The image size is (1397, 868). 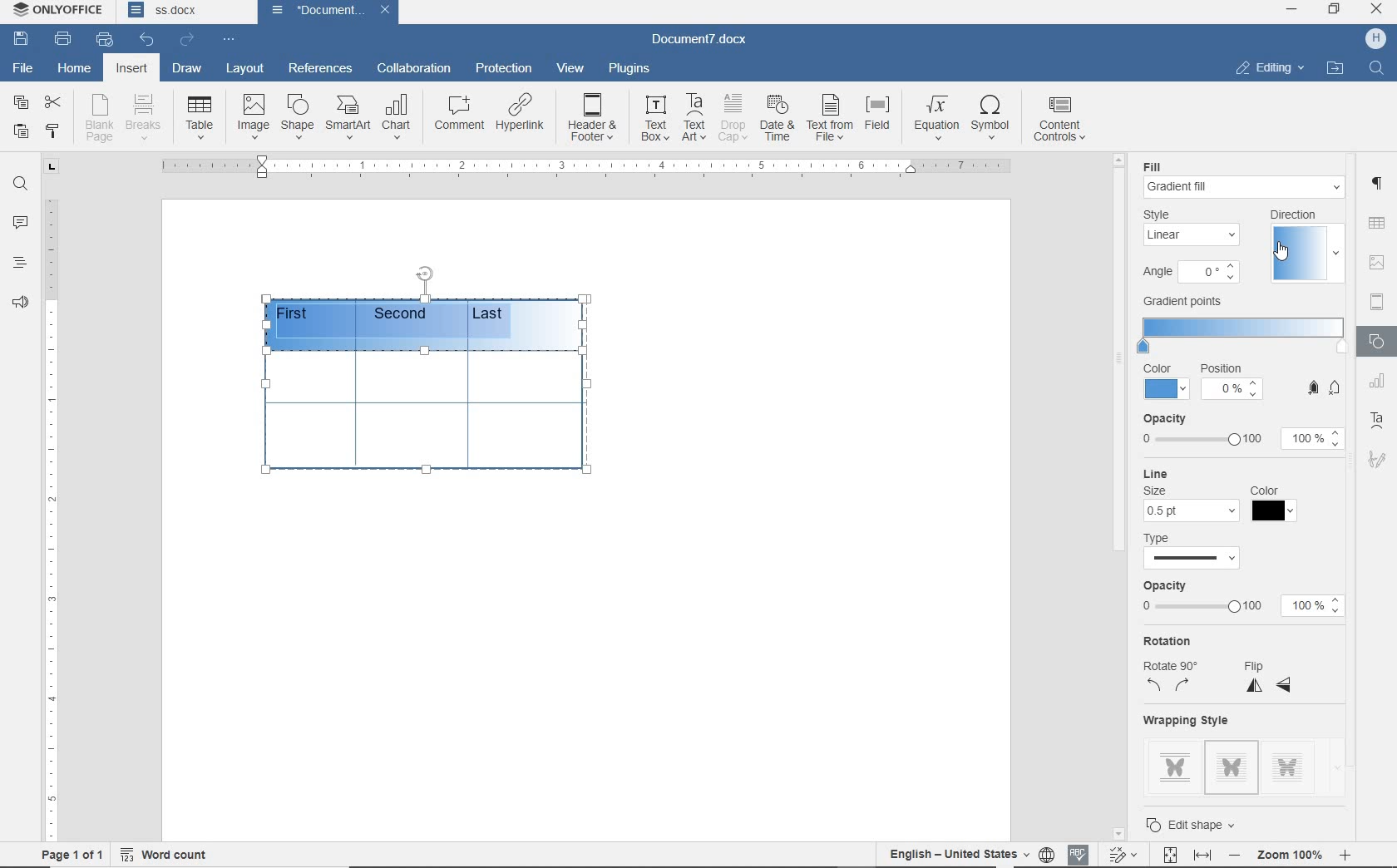 What do you see at coordinates (830, 116) in the screenshot?
I see `text from file` at bounding box center [830, 116].